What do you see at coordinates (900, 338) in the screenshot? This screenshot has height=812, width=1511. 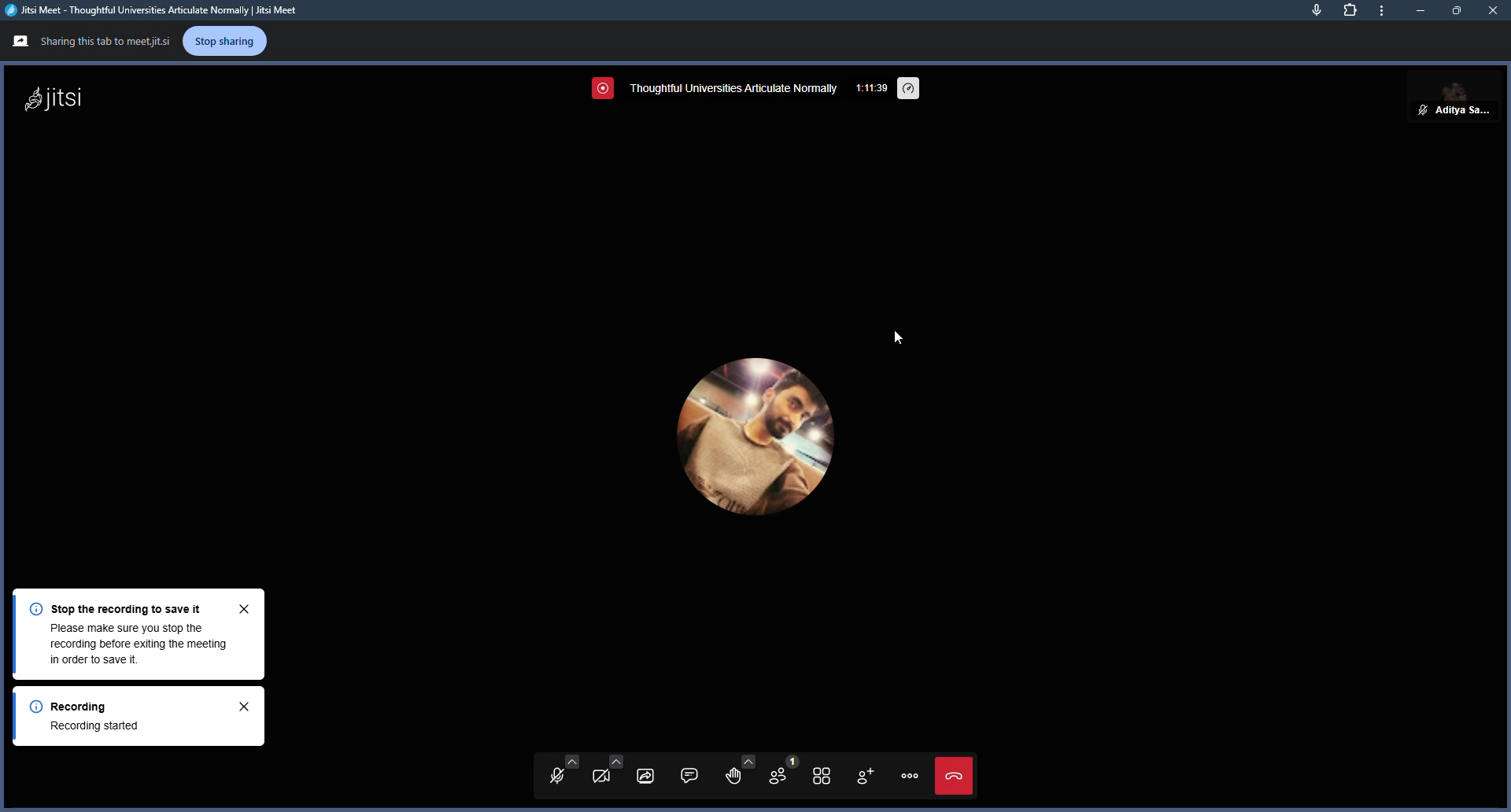 I see `cursor` at bounding box center [900, 338].